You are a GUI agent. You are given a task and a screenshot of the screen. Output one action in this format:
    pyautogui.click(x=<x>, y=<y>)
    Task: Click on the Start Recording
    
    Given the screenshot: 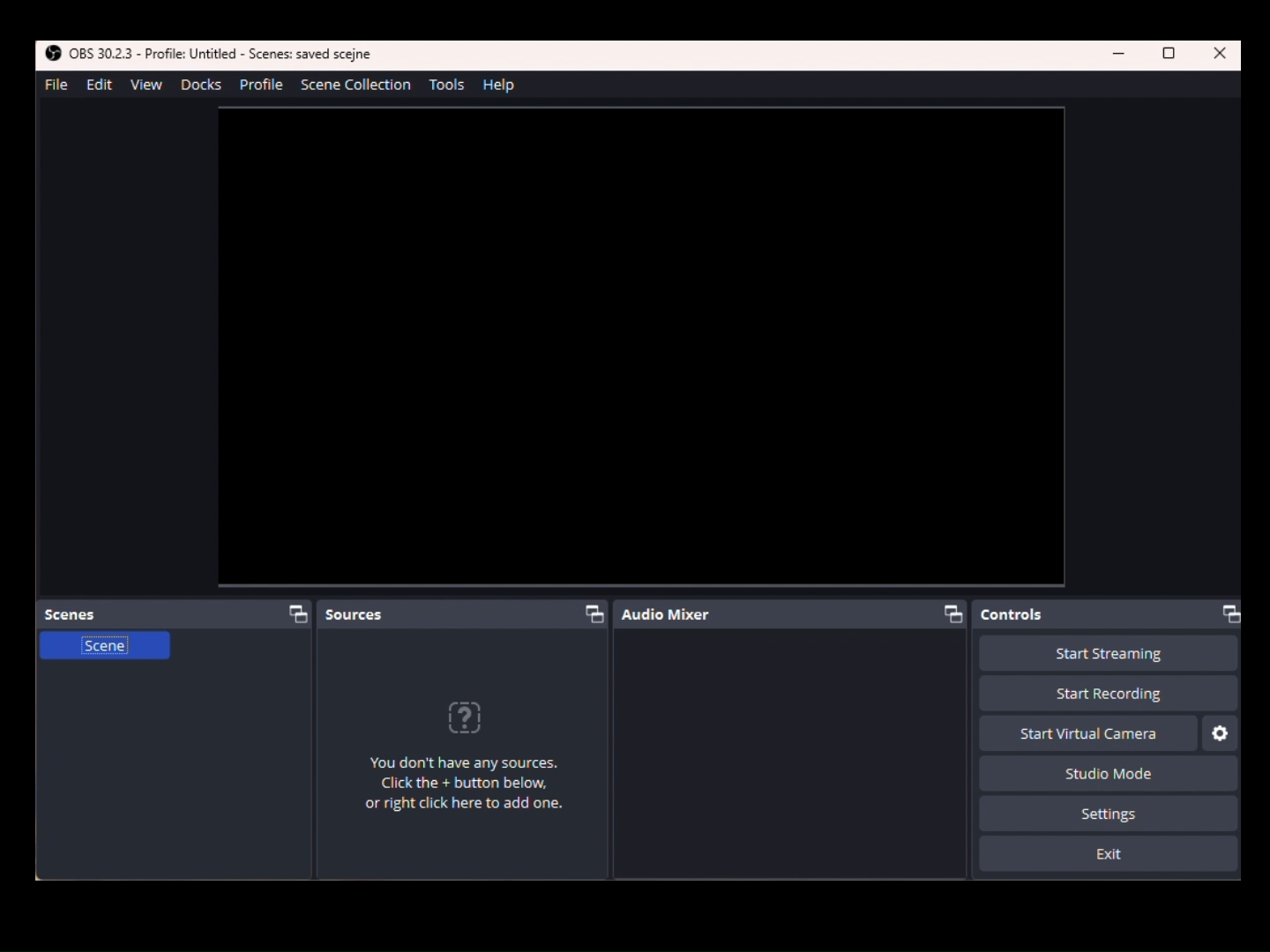 What is the action you would take?
    pyautogui.click(x=1107, y=695)
    